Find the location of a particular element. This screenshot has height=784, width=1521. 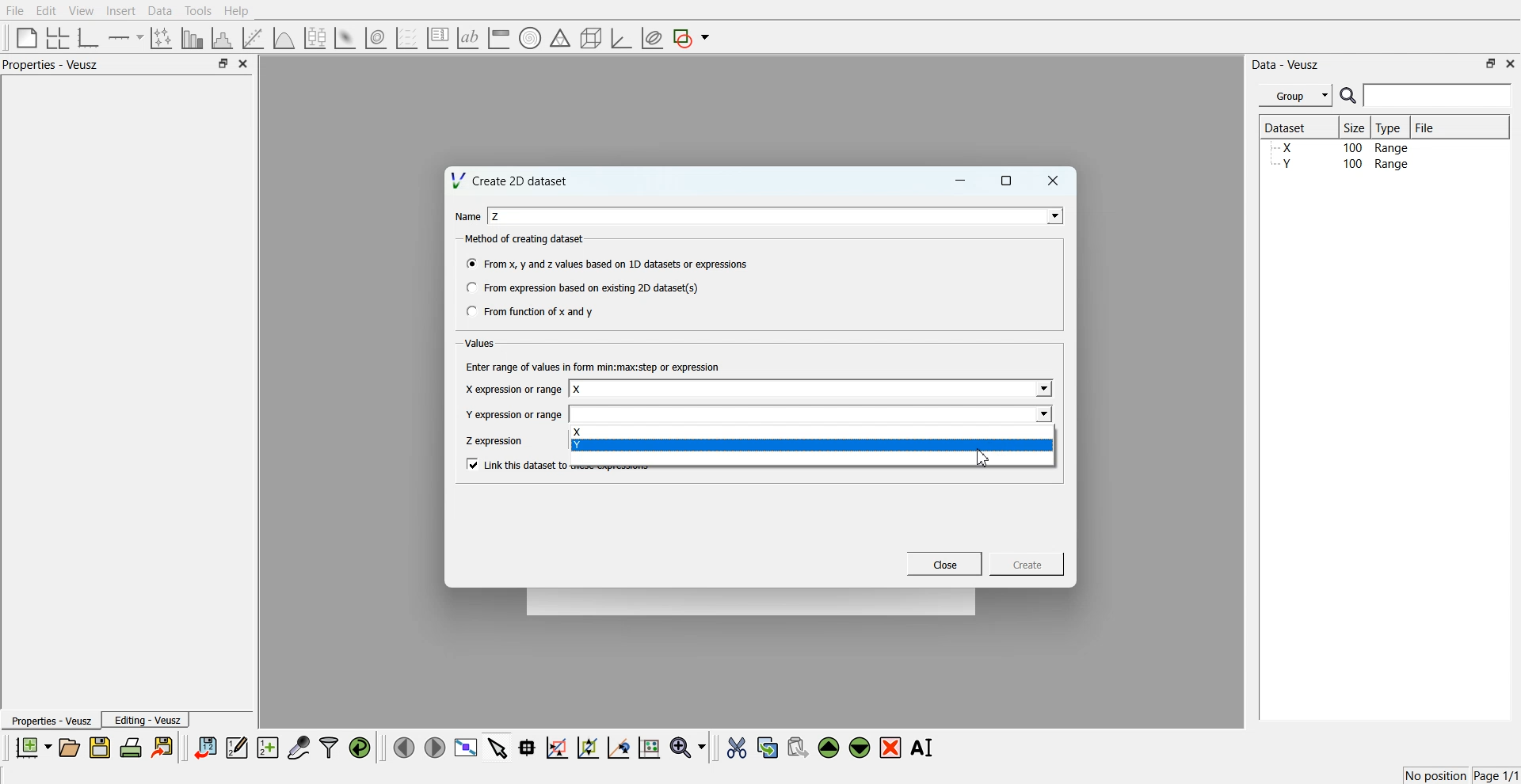

Data - Veusz is located at coordinates (1285, 65).